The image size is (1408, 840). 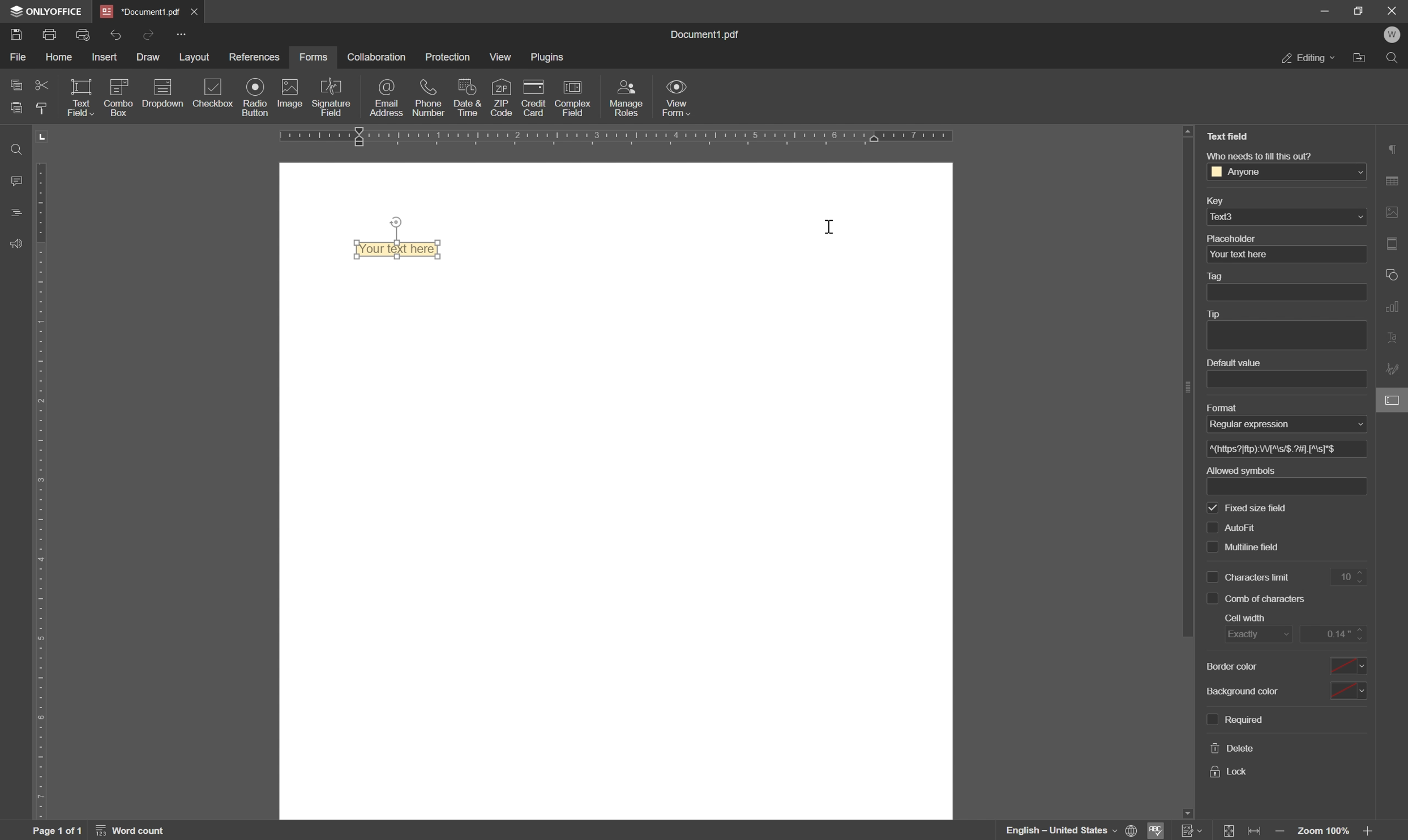 I want to click on ^(https?|ftp):\/\/[^\s/$.?#].[^\s]*$, so click(x=1277, y=449).